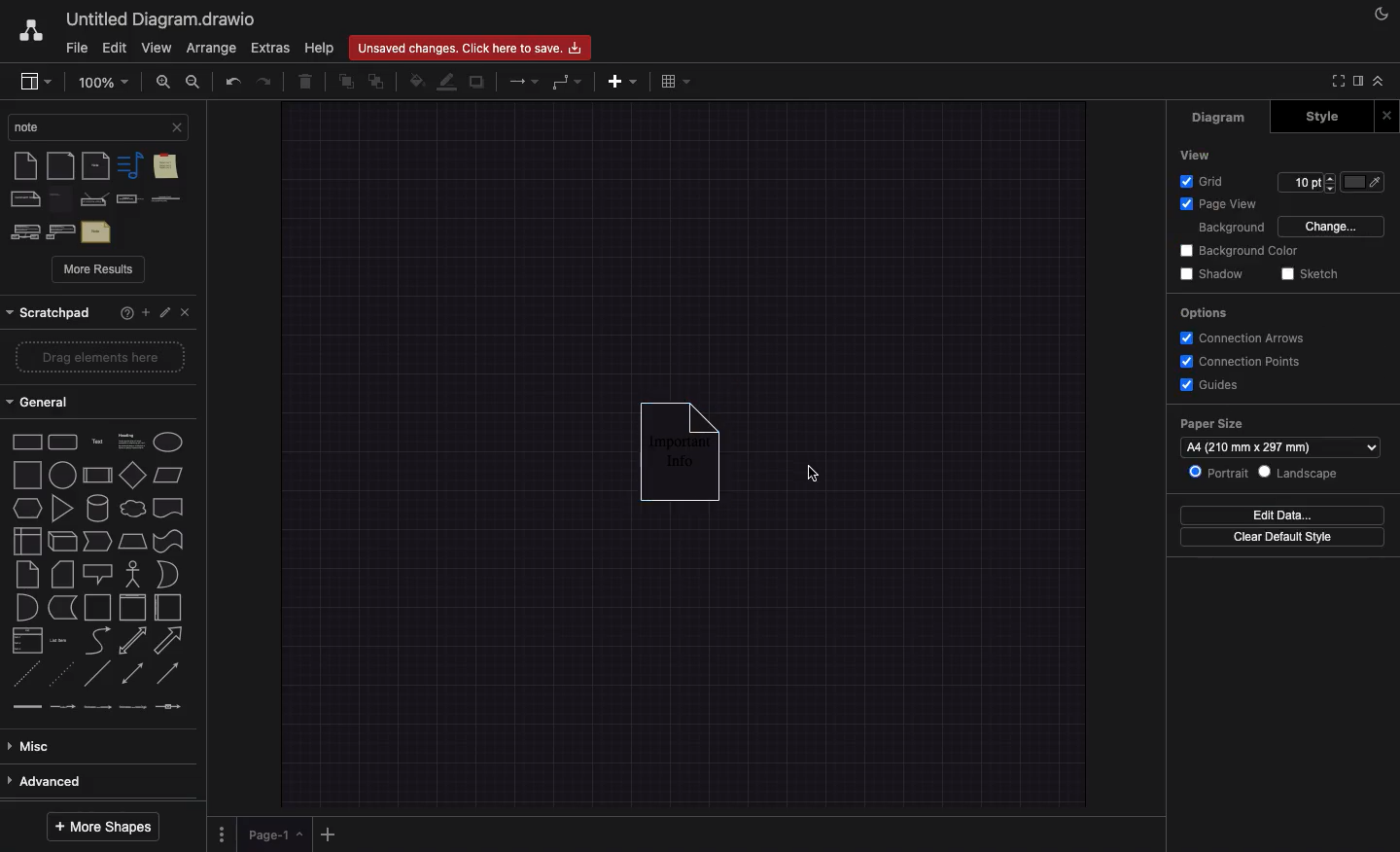 The height and width of the screenshot is (852, 1400). Describe the element at coordinates (85, 125) in the screenshot. I see `search bar.current search:Note` at that location.